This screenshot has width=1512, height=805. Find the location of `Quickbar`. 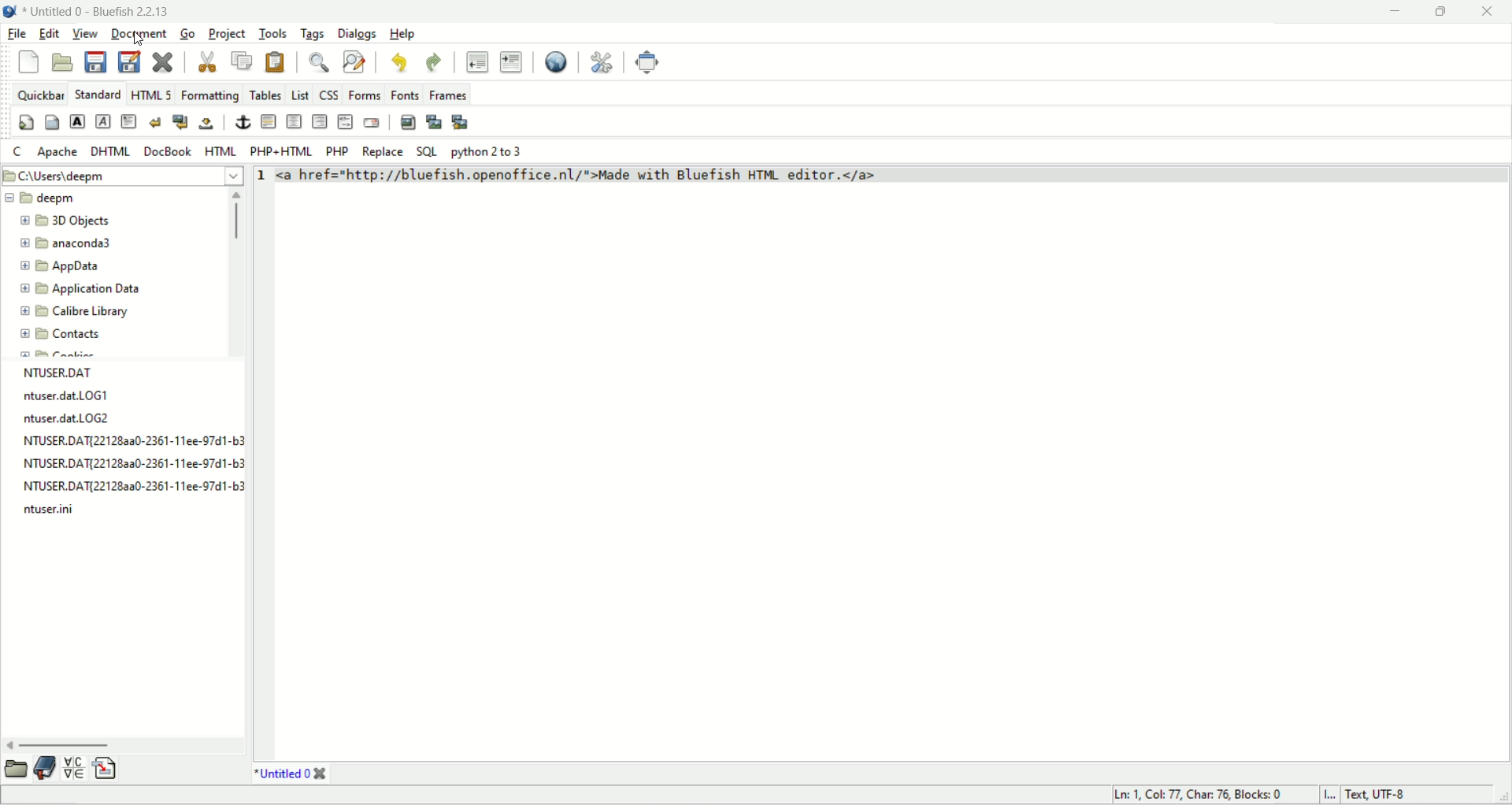

Quickbar is located at coordinates (40, 94).